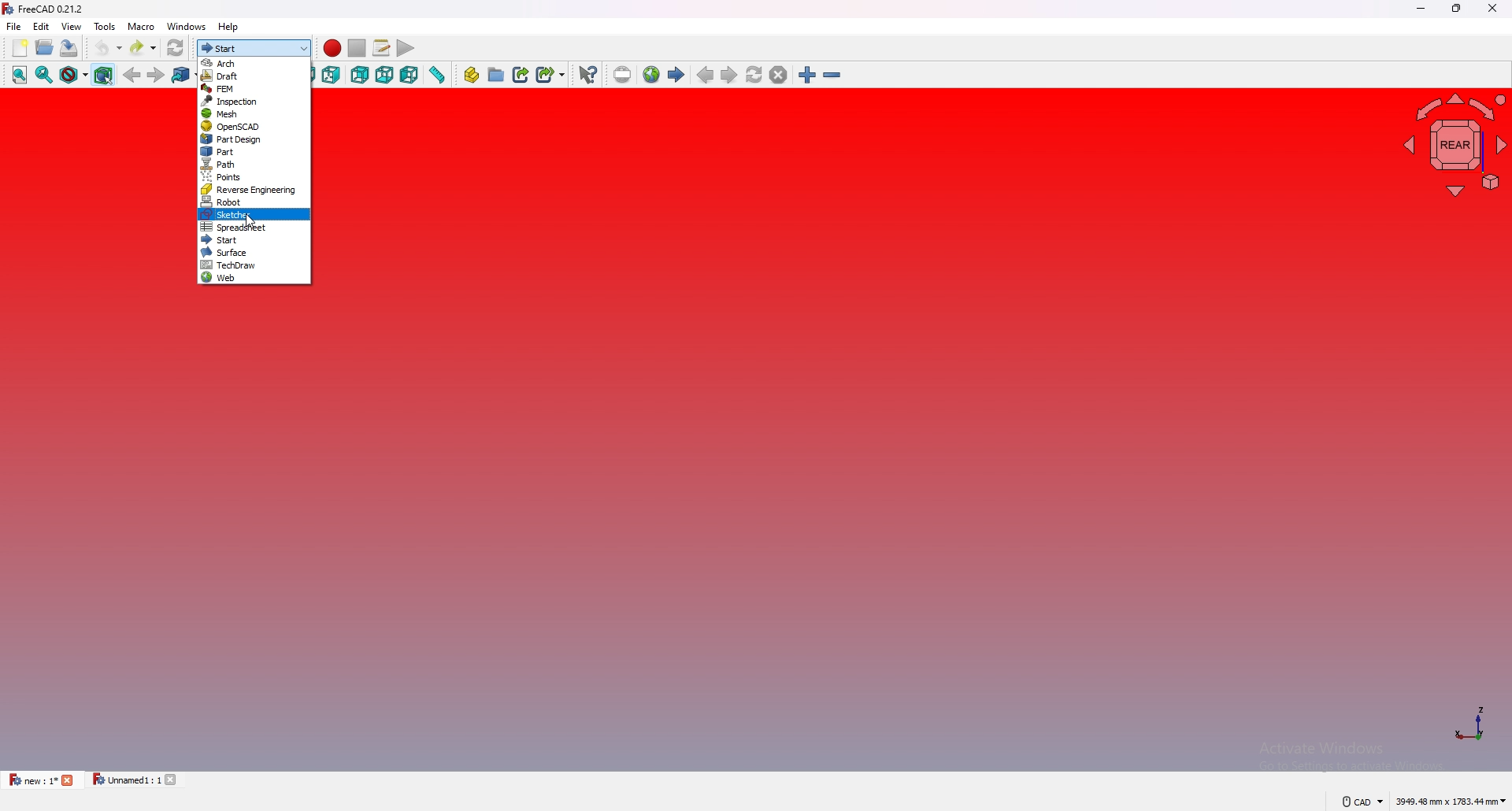 This screenshot has height=811, width=1512. Describe the element at coordinates (105, 26) in the screenshot. I see `tools` at that location.